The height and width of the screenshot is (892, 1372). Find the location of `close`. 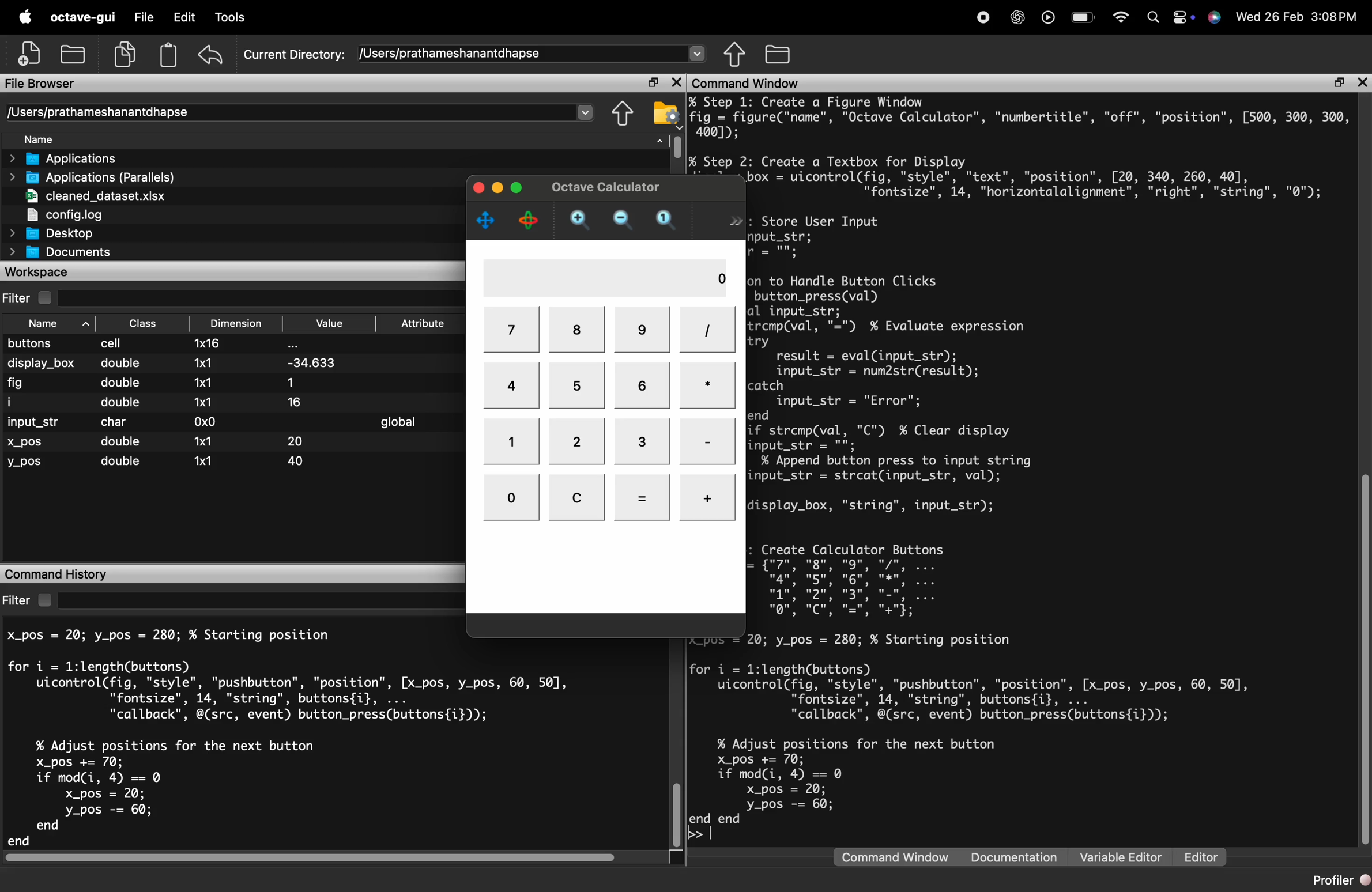

close is located at coordinates (652, 573).